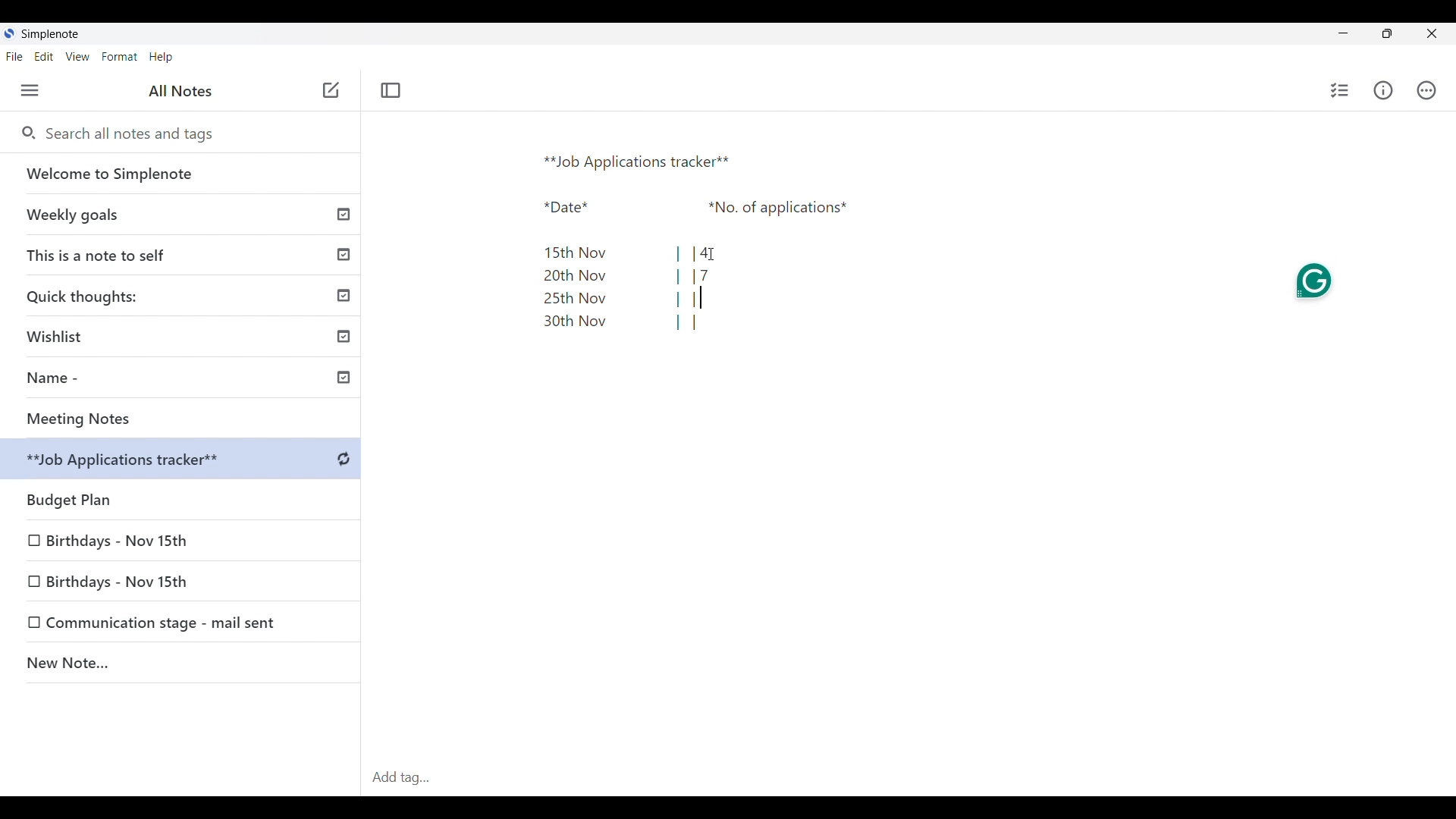 The image size is (1456, 819). What do you see at coordinates (44, 56) in the screenshot?
I see `Edit` at bounding box center [44, 56].